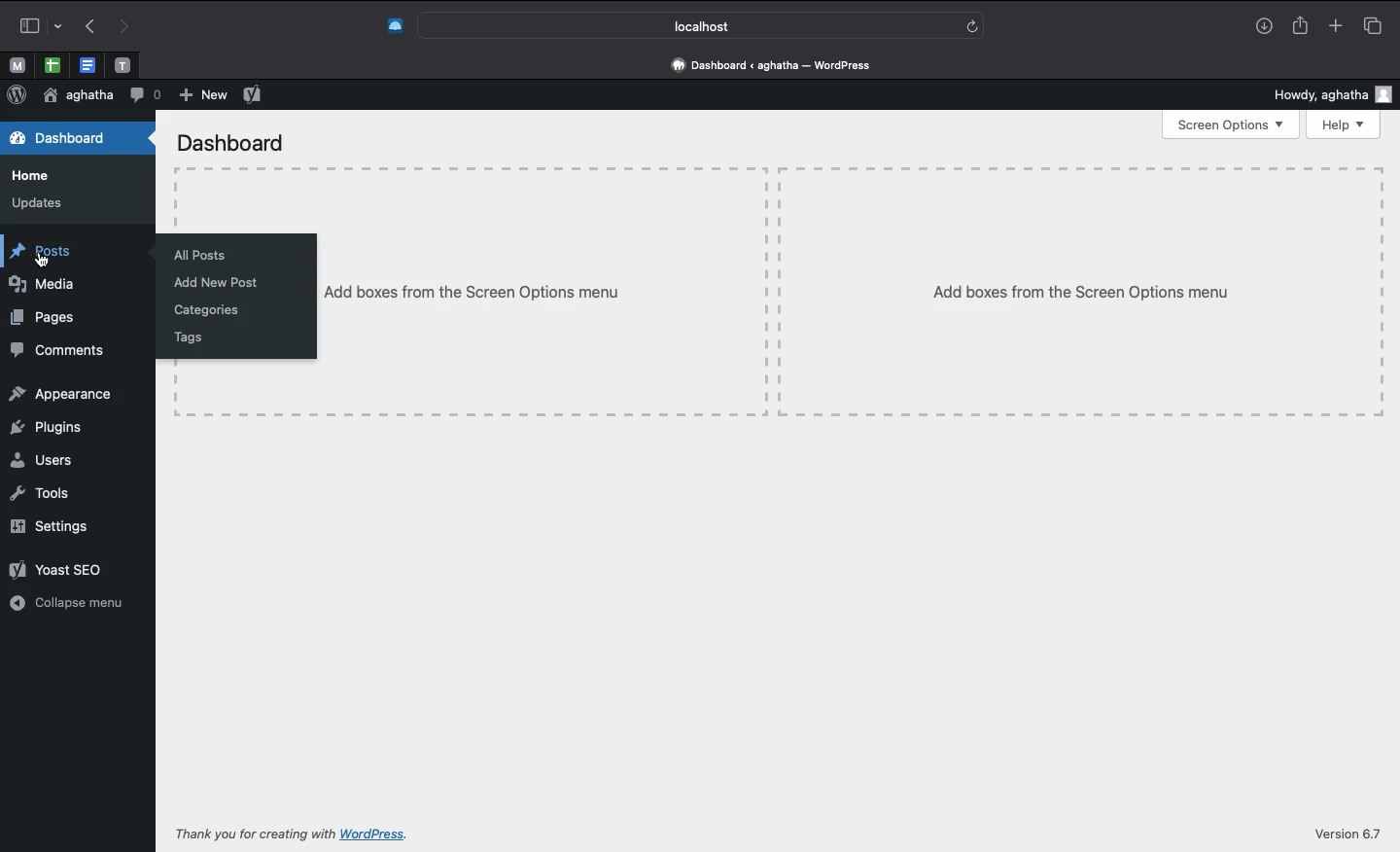 The width and height of the screenshot is (1400, 852). I want to click on Next page, so click(122, 28).